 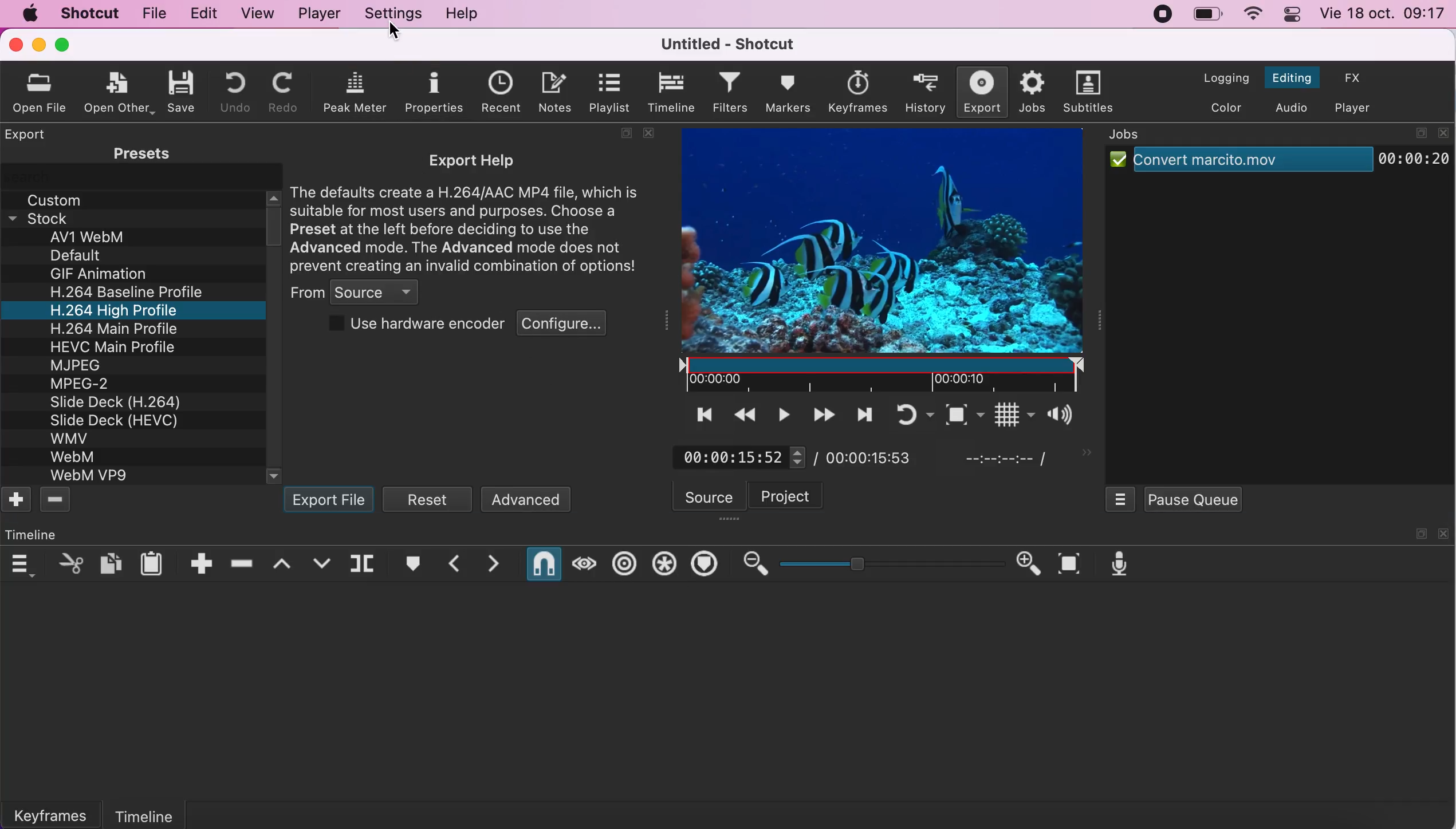 I want to click on export file, so click(x=330, y=500).